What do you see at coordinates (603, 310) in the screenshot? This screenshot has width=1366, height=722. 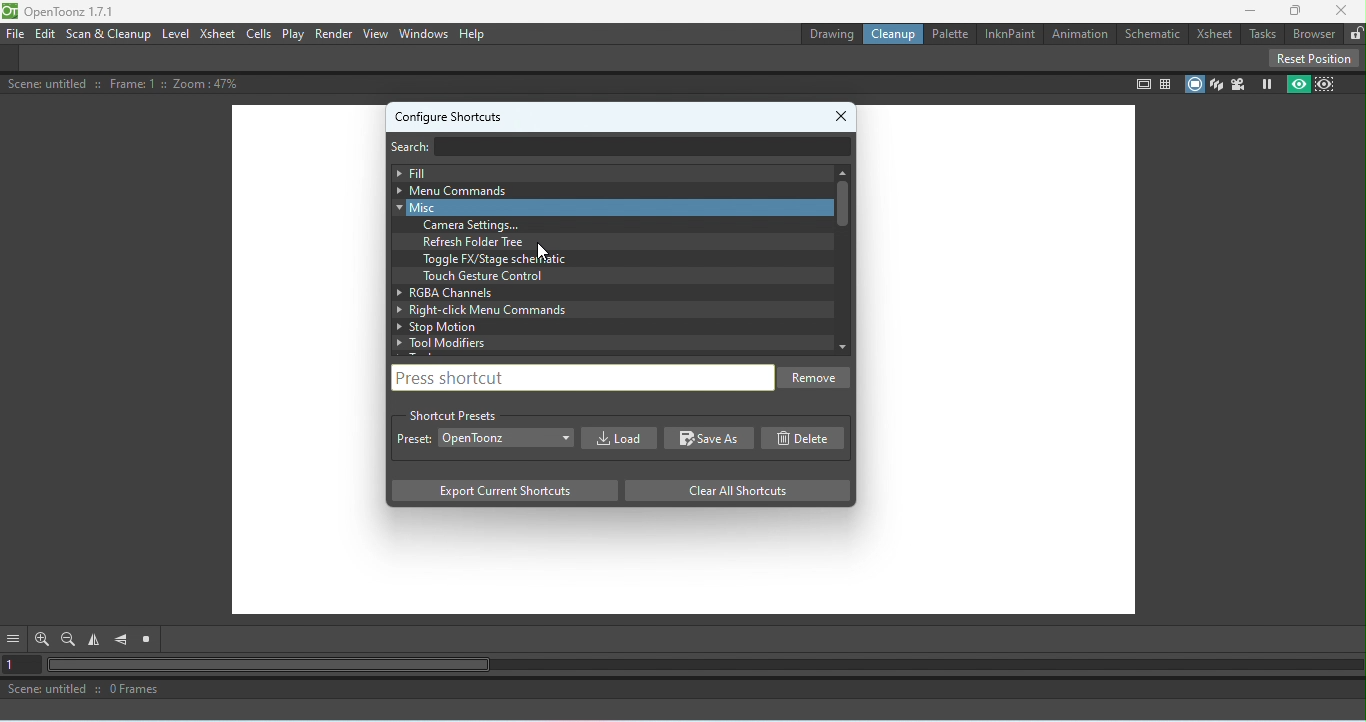 I see `Right-click menu commands` at bounding box center [603, 310].